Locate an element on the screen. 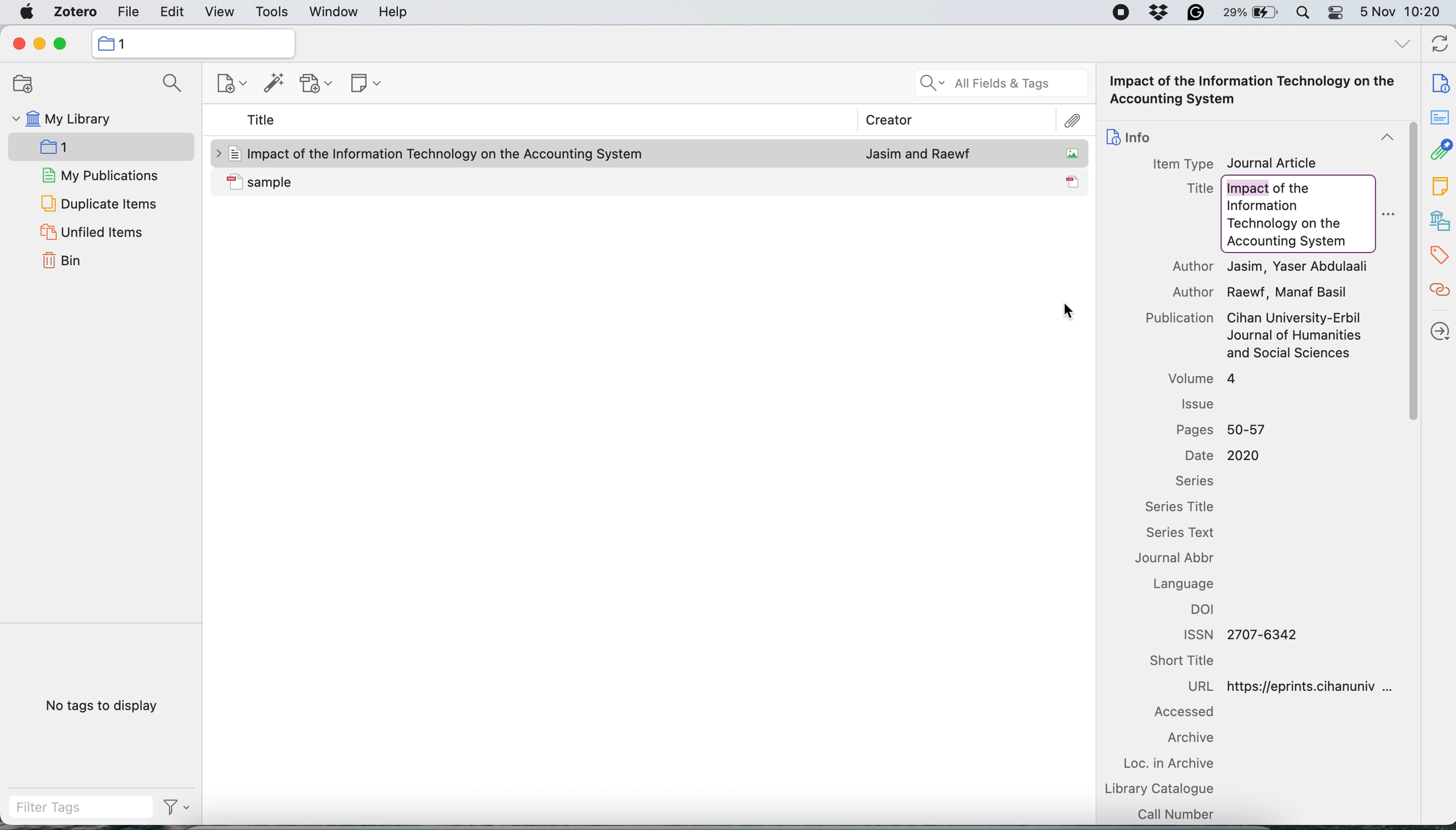 This screenshot has width=1456, height=830. sample is located at coordinates (448, 181).